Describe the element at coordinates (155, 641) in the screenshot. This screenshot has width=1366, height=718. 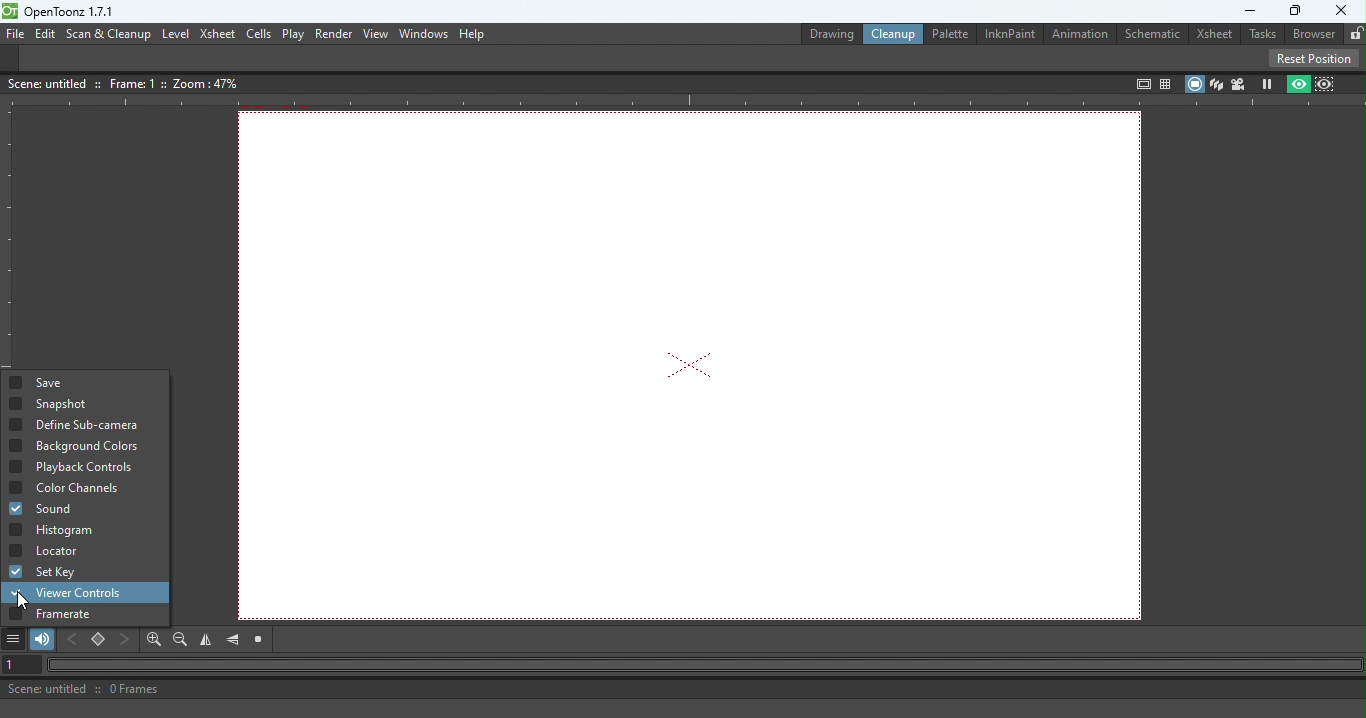
I see `Zoom in` at that location.